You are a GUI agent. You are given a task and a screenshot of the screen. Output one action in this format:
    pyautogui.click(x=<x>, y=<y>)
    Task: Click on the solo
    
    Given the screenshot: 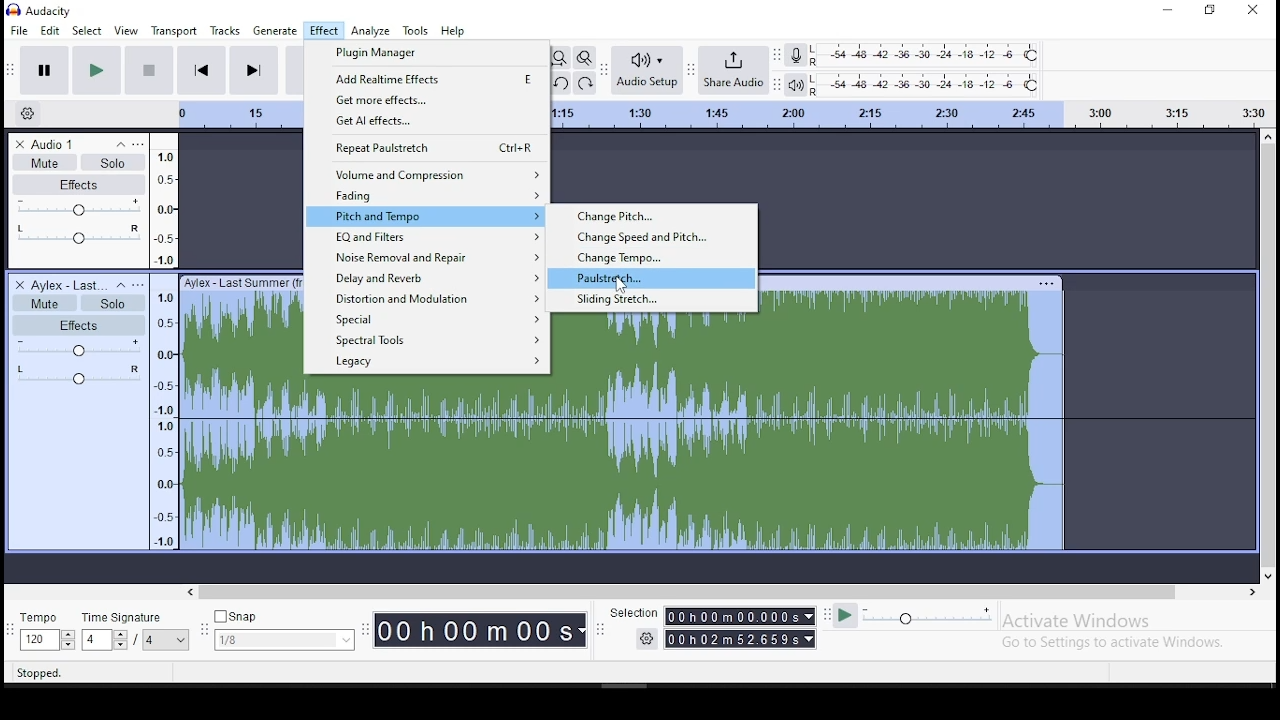 What is the action you would take?
    pyautogui.click(x=111, y=303)
    